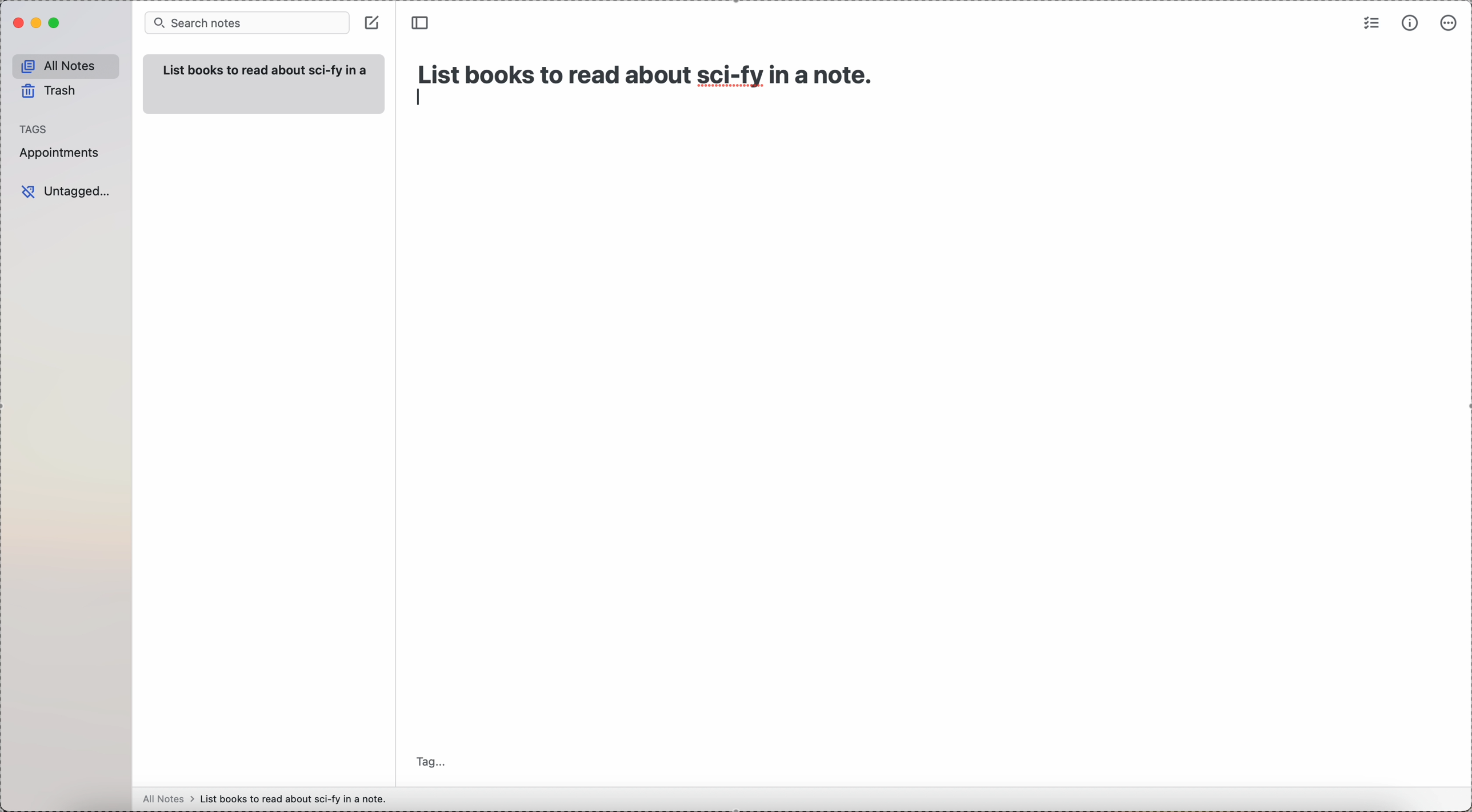 This screenshot has height=812, width=1472. What do you see at coordinates (50, 91) in the screenshot?
I see `trash` at bounding box center [50, 91].